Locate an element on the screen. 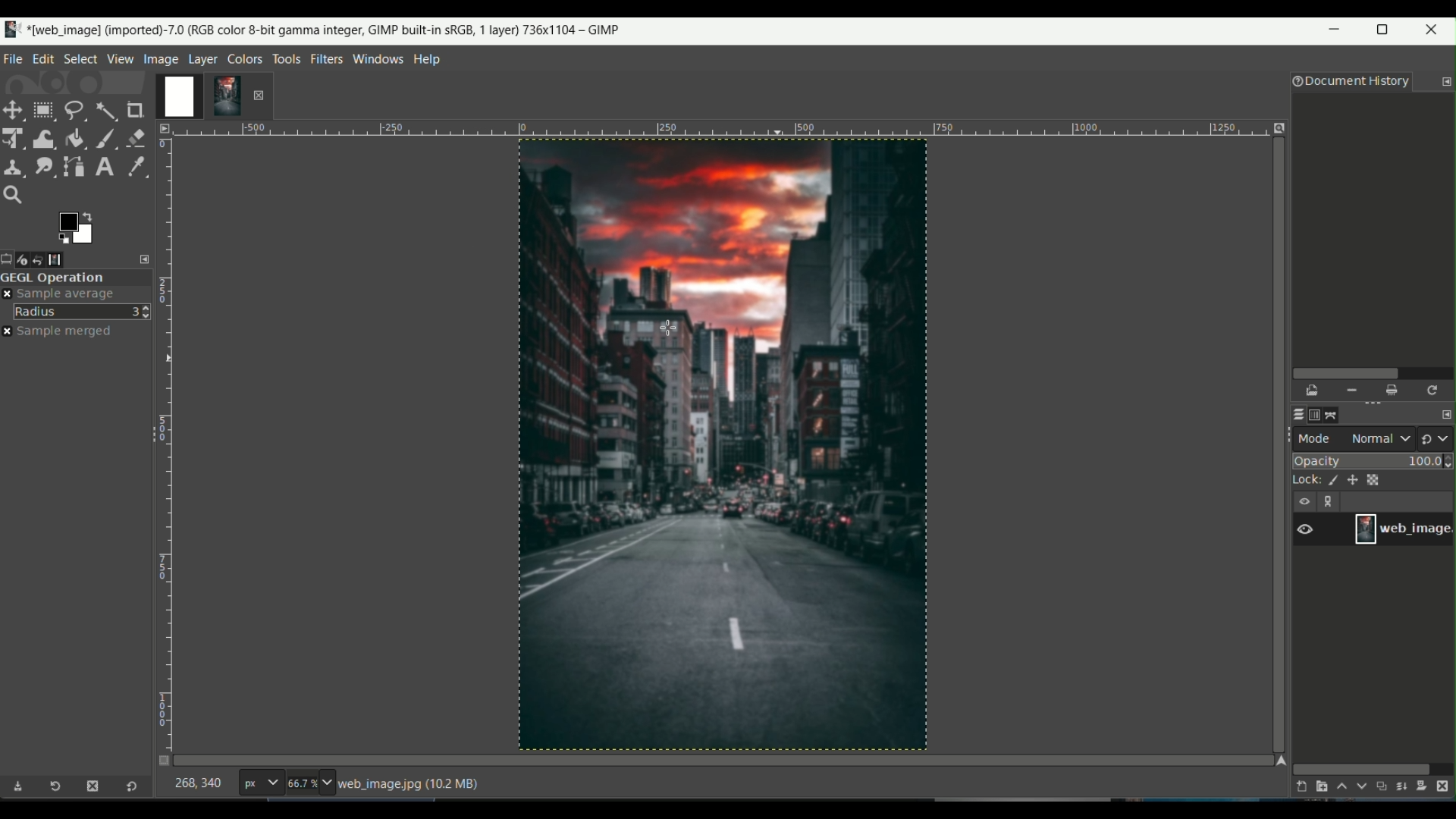 The image size is (1456, 819). scroll bar is located at coordinates (1370, 372).